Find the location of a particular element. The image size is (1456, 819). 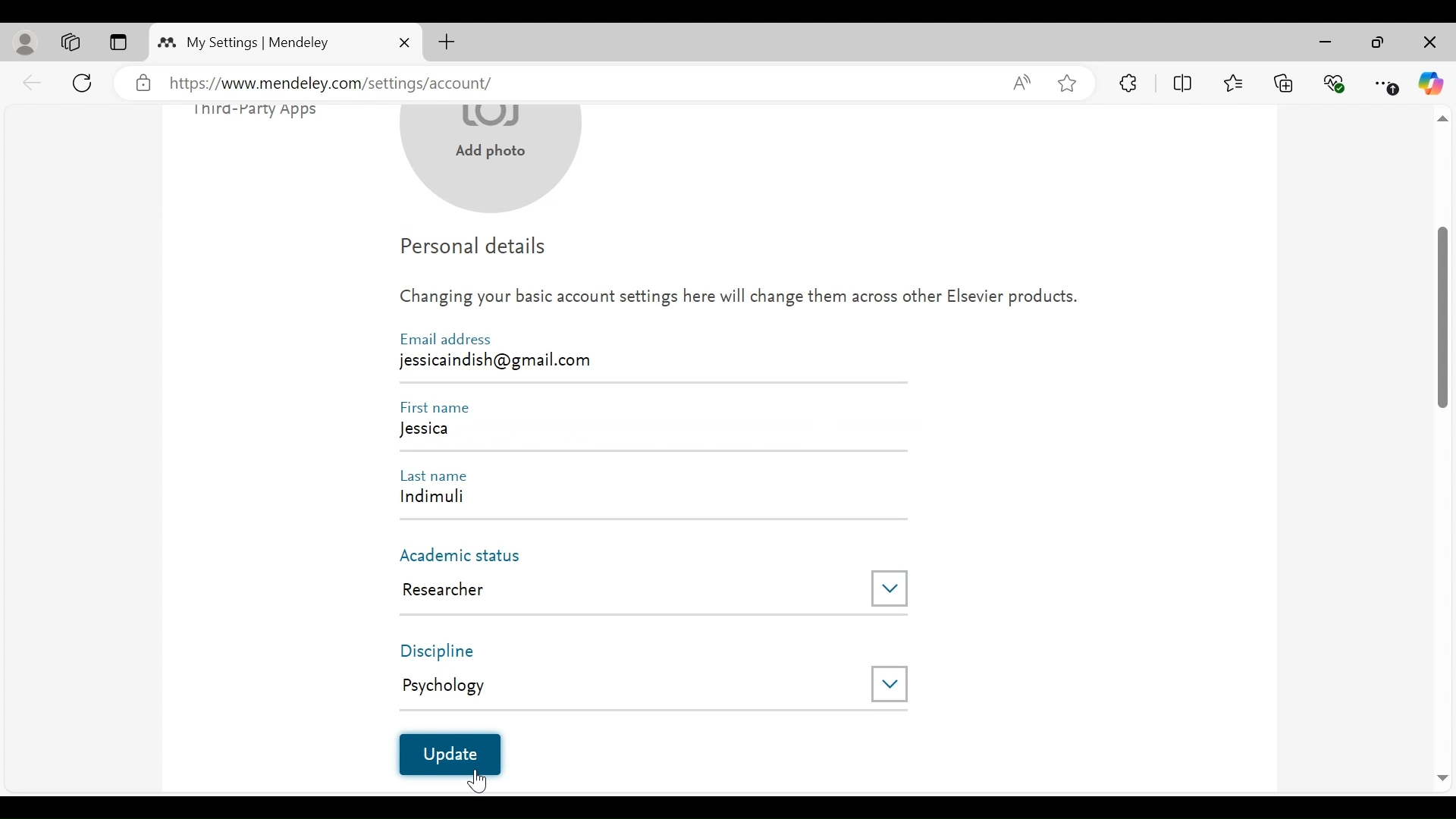

Research is located at coordinates (625, 590).